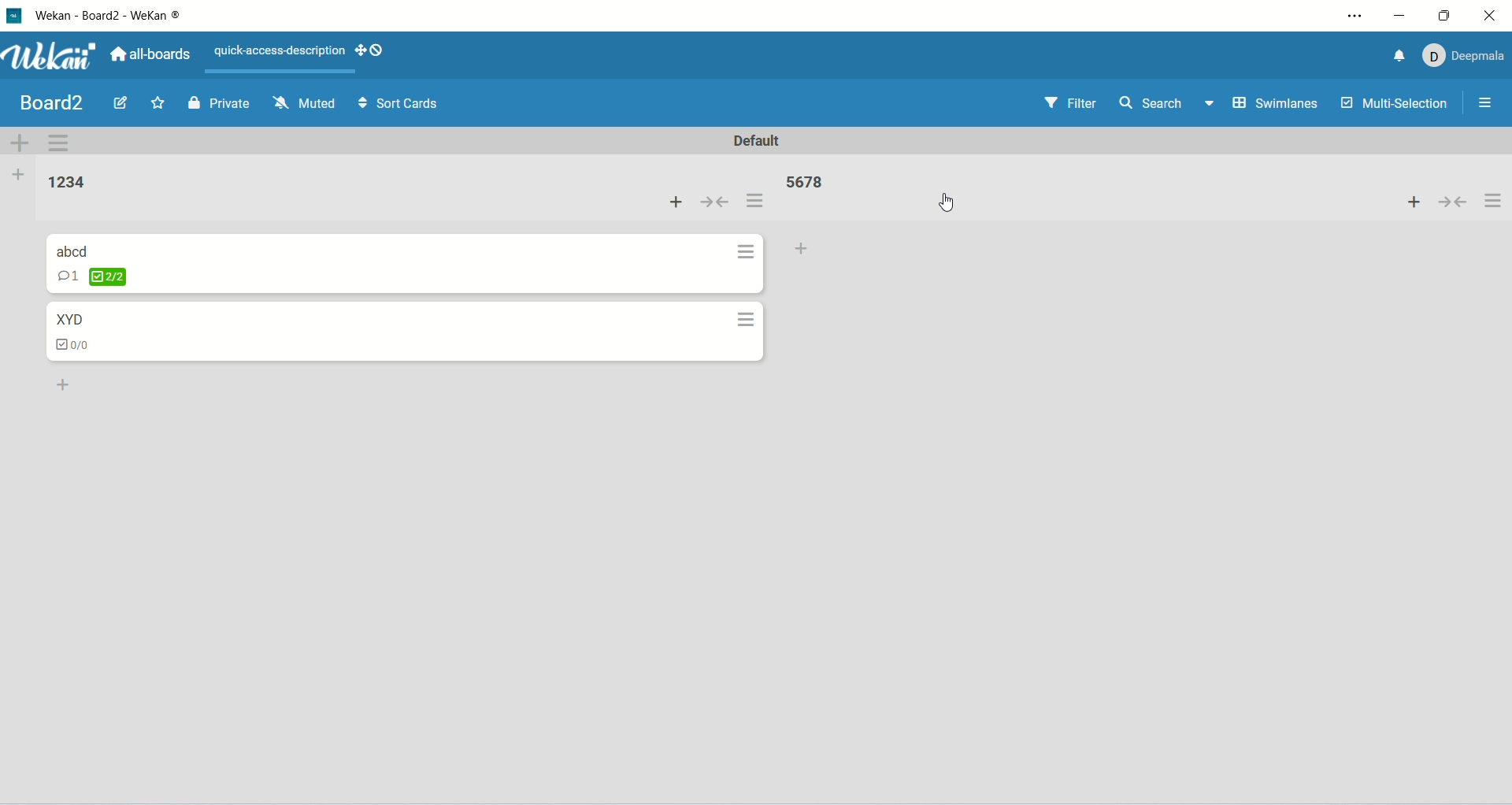 This screenshot has height=805, width=1512. Describe the element at coordinates (65, 384) in the screenshot. I see `add` at that location.